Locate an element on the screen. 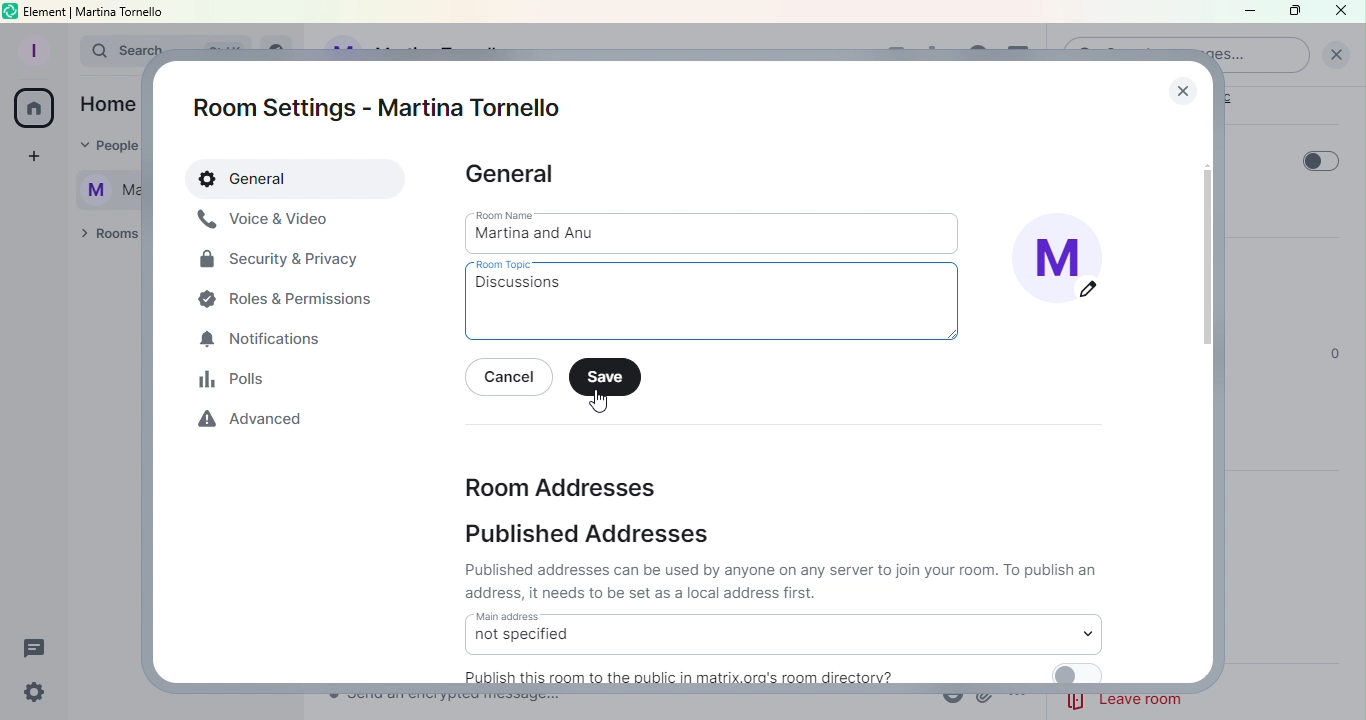  Rooms is located at coordinates (105, 235).